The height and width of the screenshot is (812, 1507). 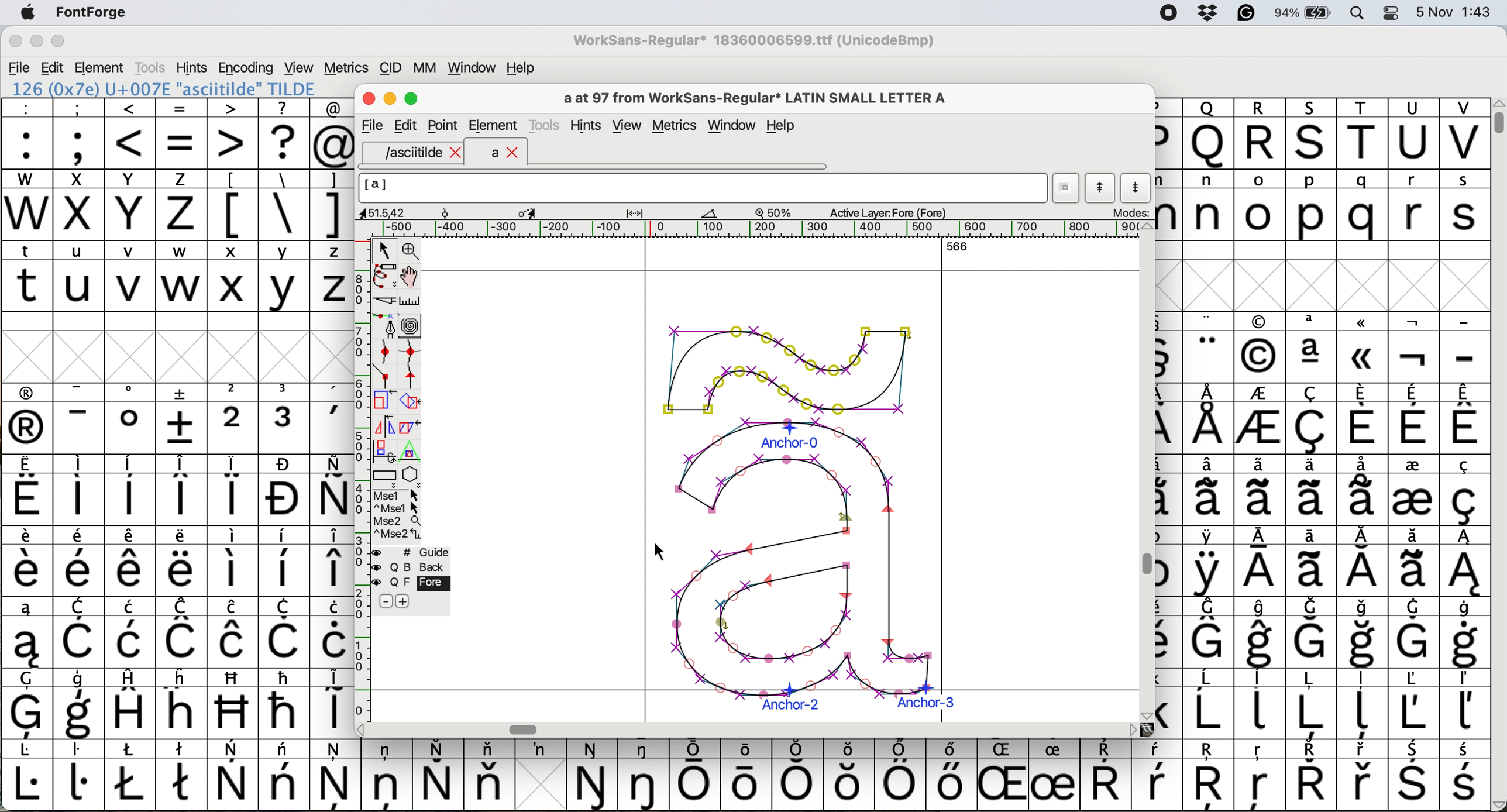 I want to click on Edit, so click(x=405, y=125).